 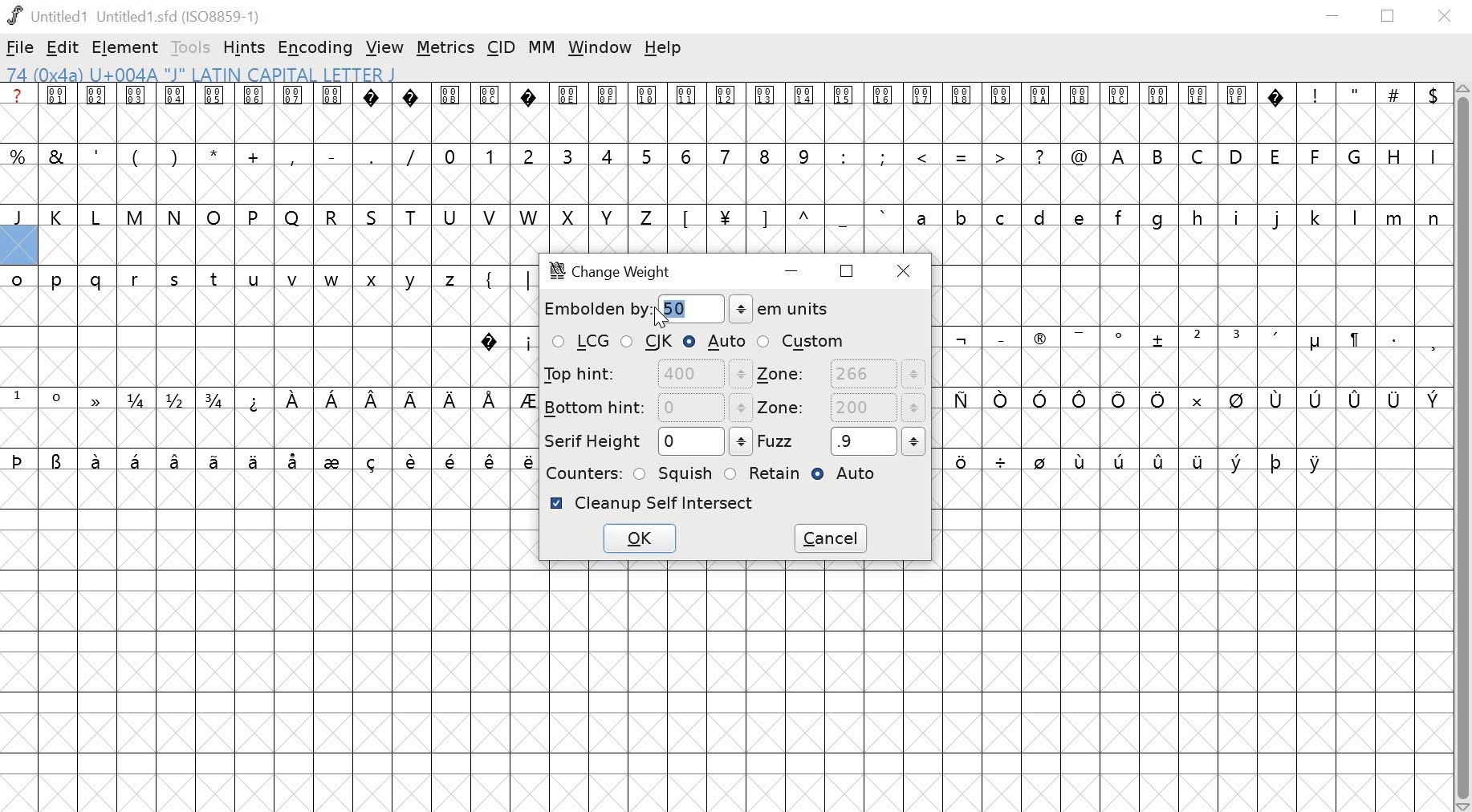 What do you see at coordinates (1275, 155) in the screenshot?
I see `uppercase letters` at bounding box center [1275, 155].